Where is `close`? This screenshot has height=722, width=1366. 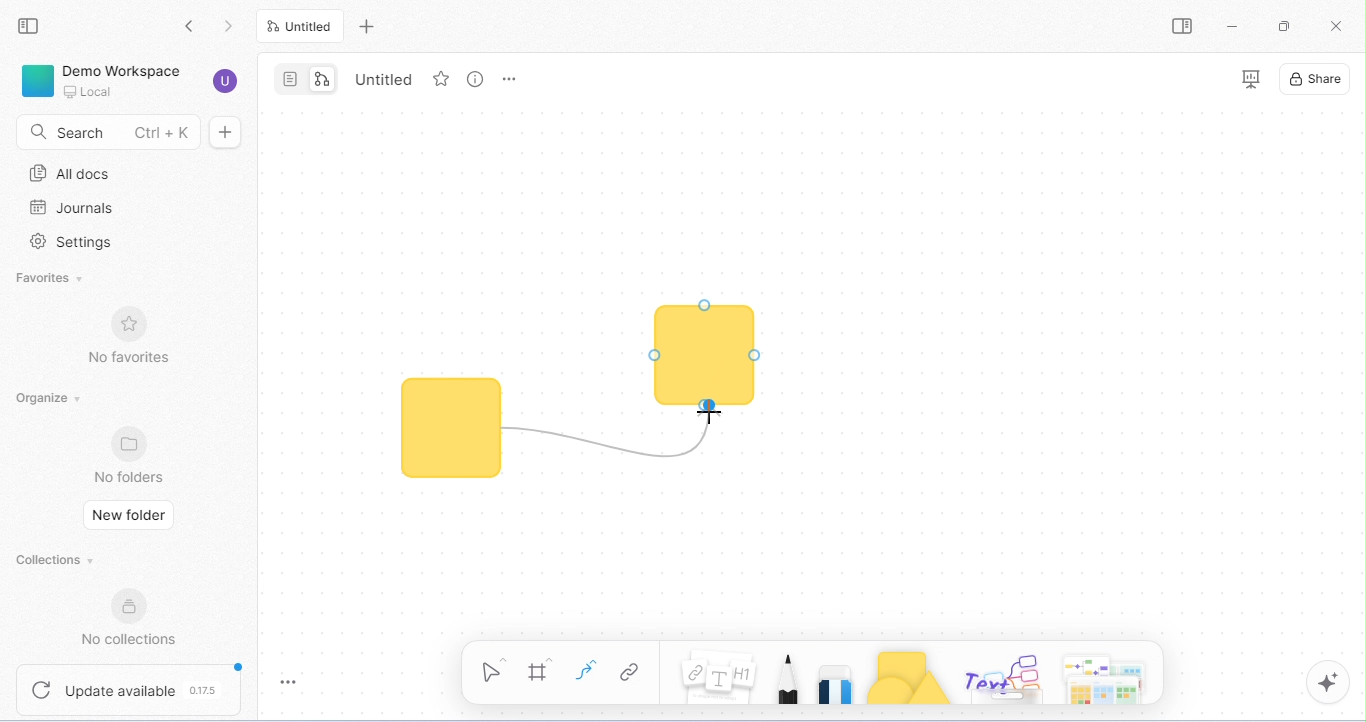
close is located at coordinates (1339, 26).